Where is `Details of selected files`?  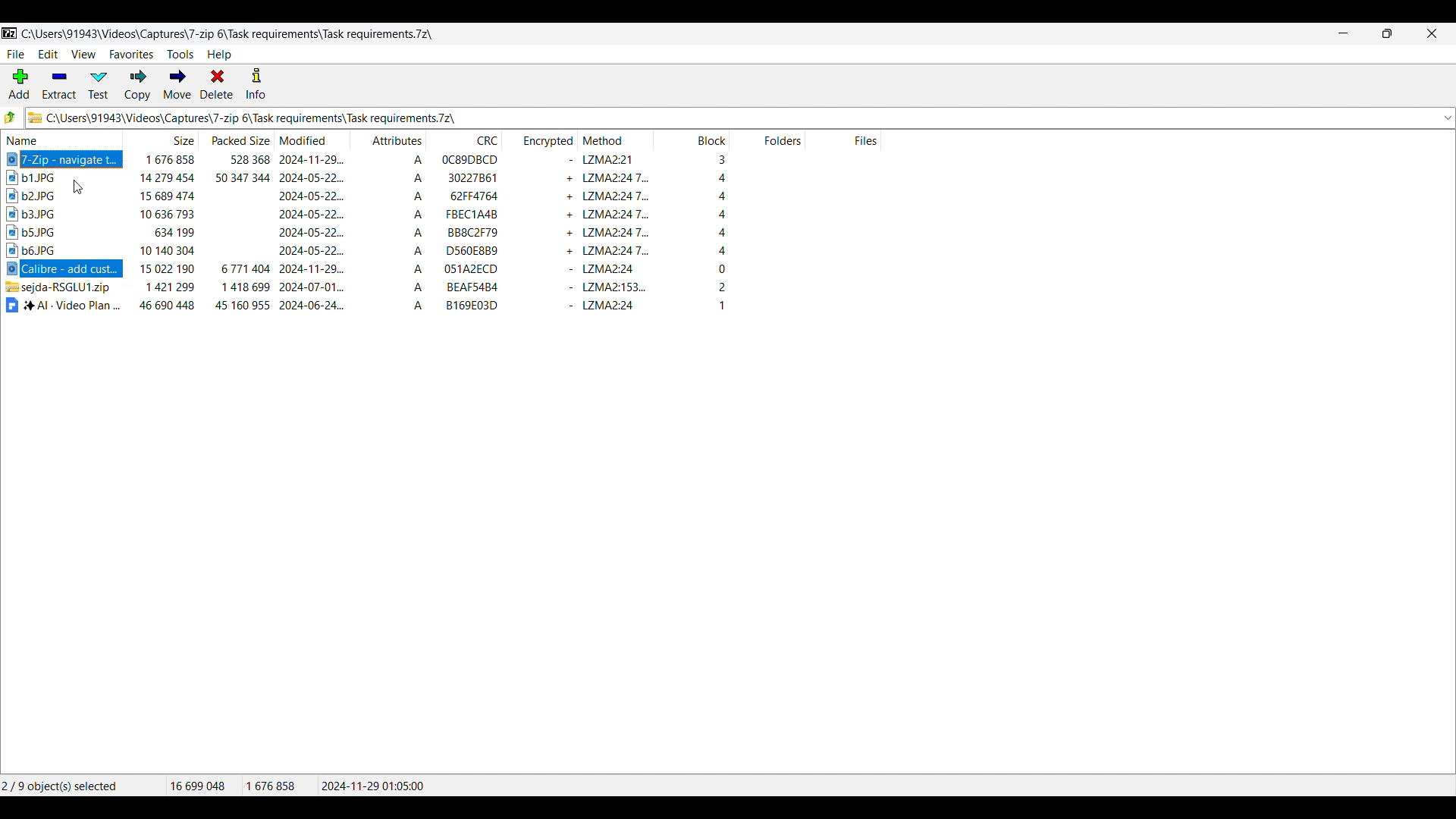 Details of selected files is located at coordinates (300, 786).